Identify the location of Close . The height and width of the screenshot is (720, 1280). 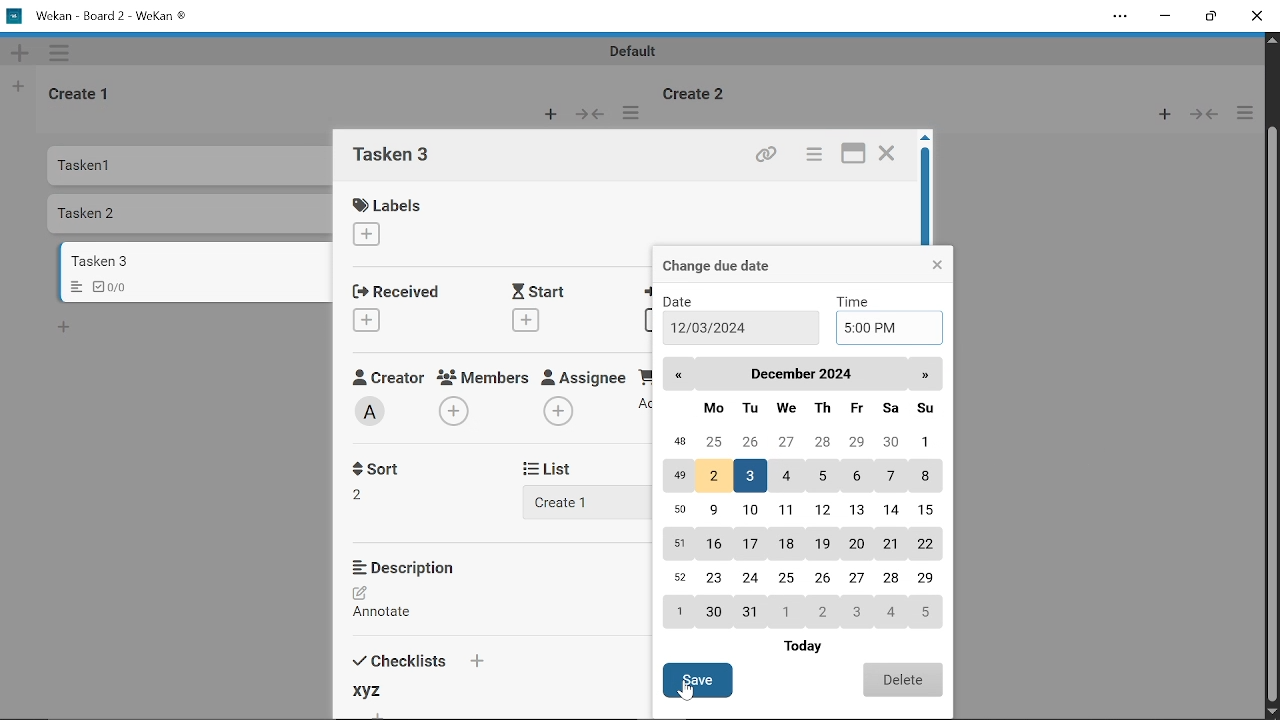
(887, 155).